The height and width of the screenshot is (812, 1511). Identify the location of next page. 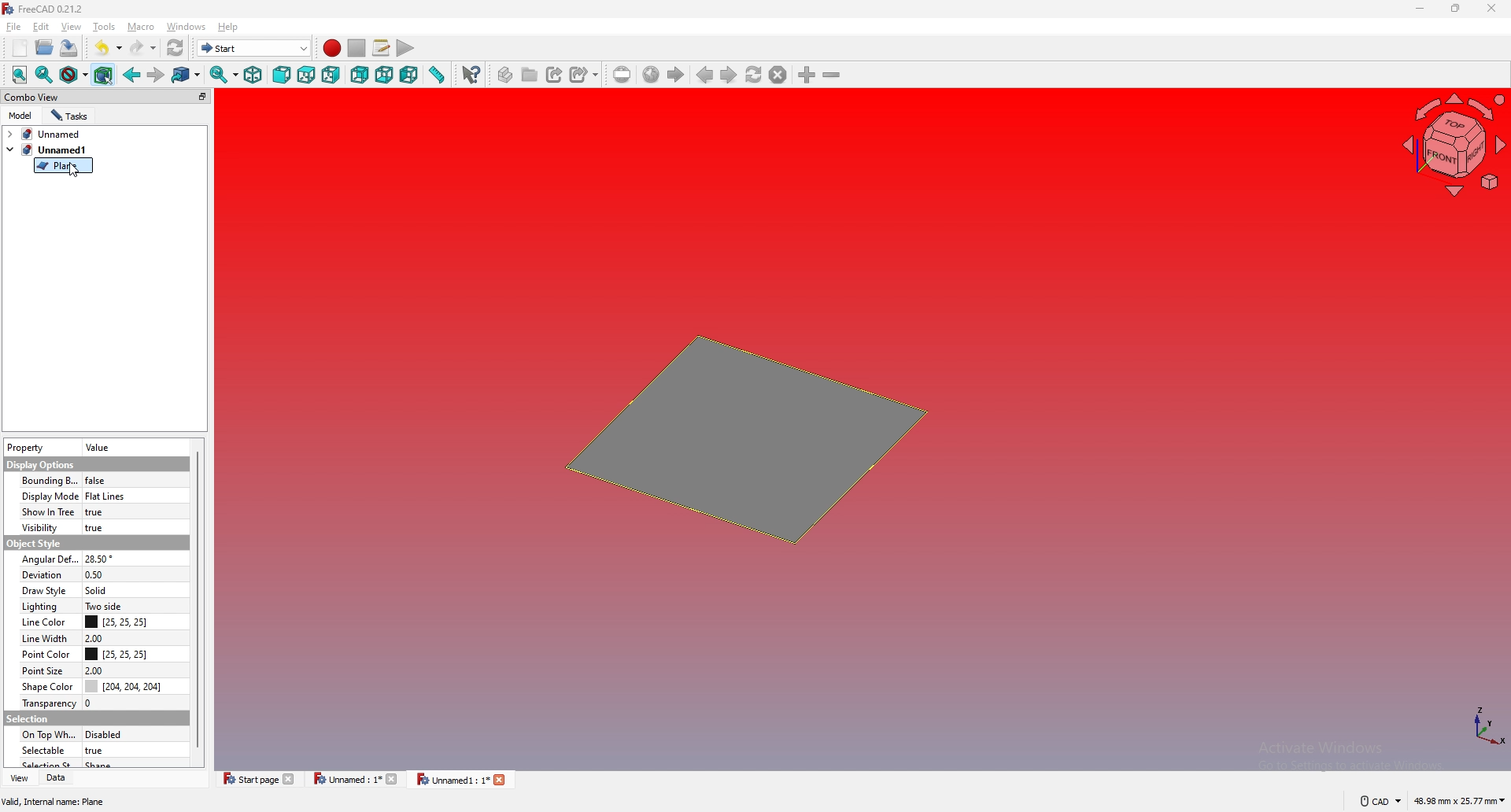
(730, 76).